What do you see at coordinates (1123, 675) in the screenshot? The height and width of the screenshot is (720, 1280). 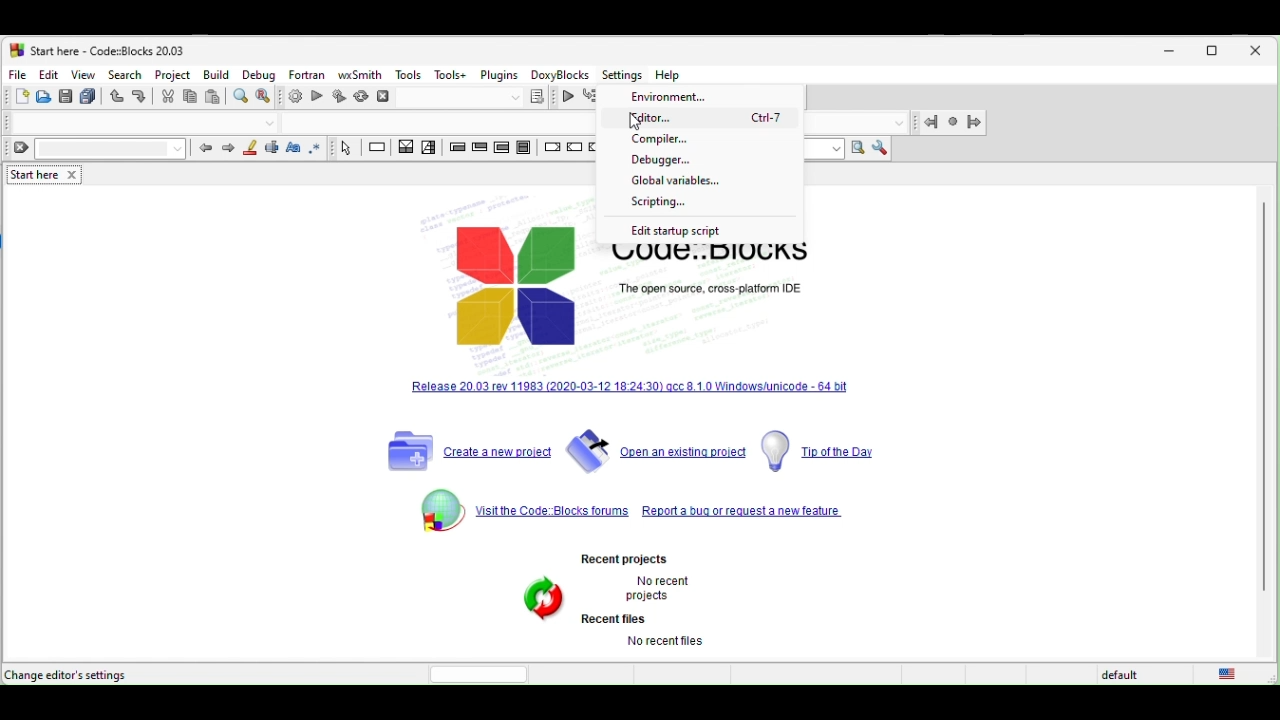 I see `default` at bounding box center [1123, 675].